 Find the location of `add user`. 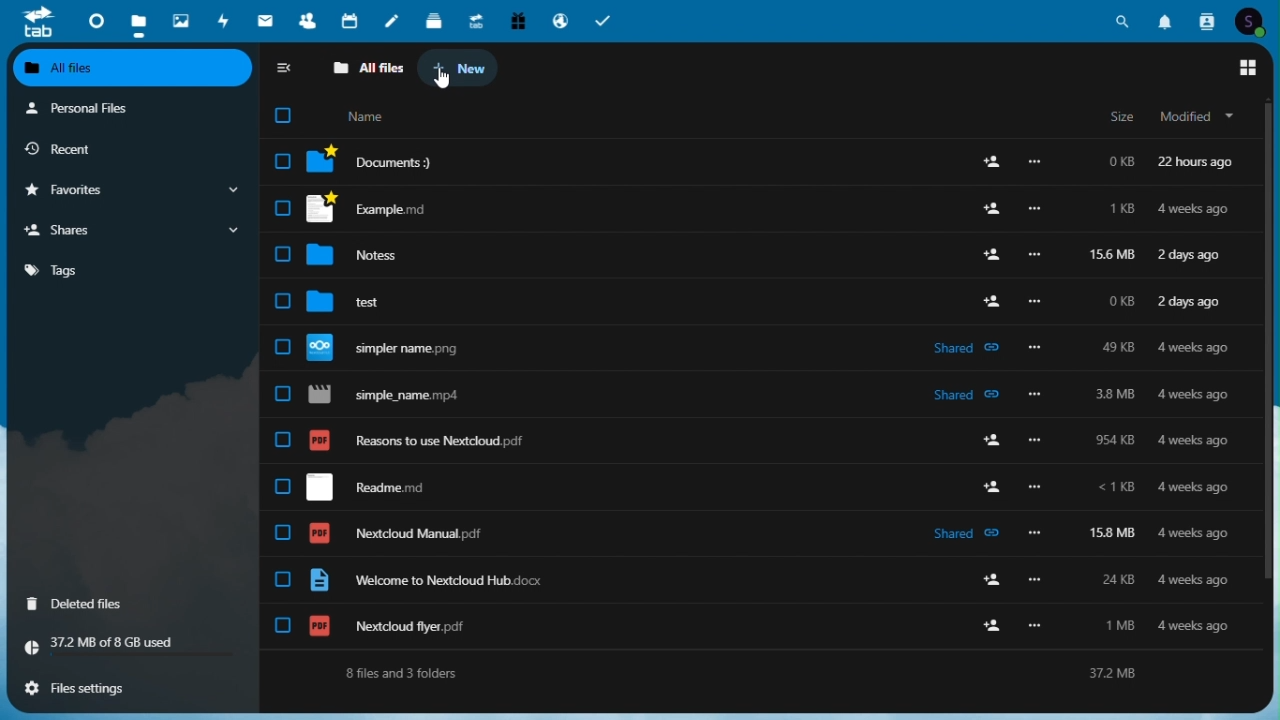

add user is located at coordinates (995, 625).